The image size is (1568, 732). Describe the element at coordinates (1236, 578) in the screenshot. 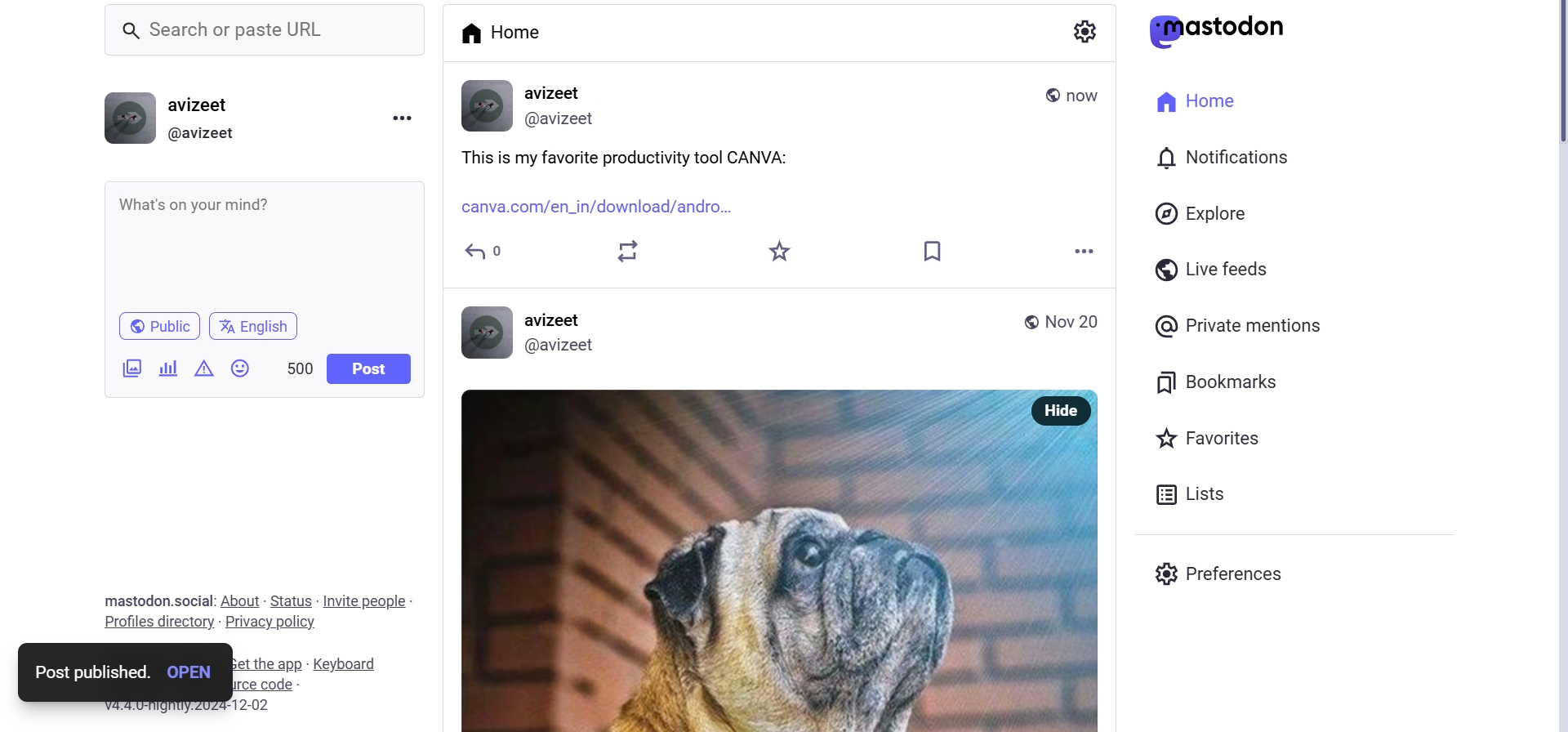

I see `preferenes` at that location.